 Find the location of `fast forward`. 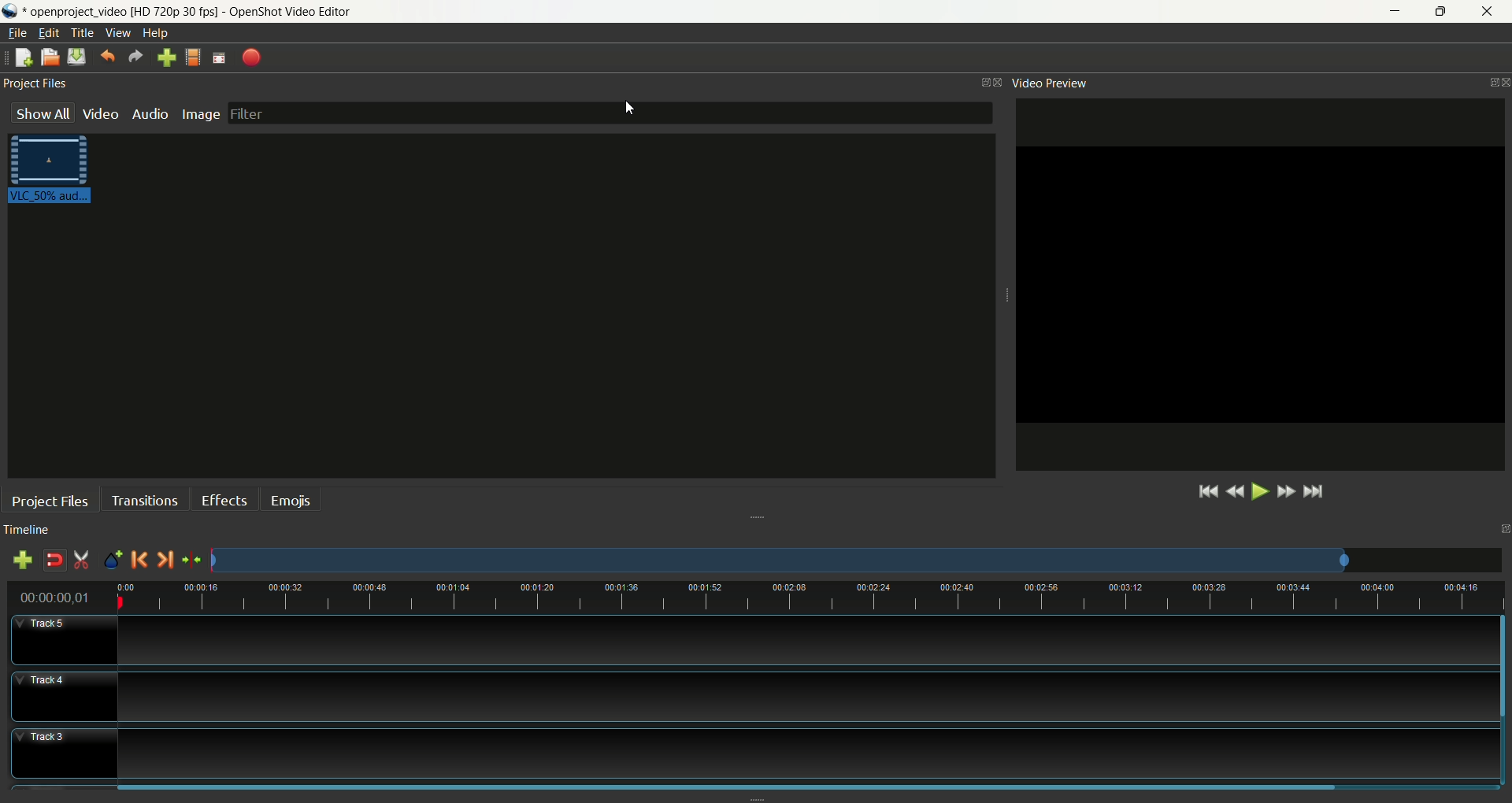

fast forward is located at coordinates (1289, 494).